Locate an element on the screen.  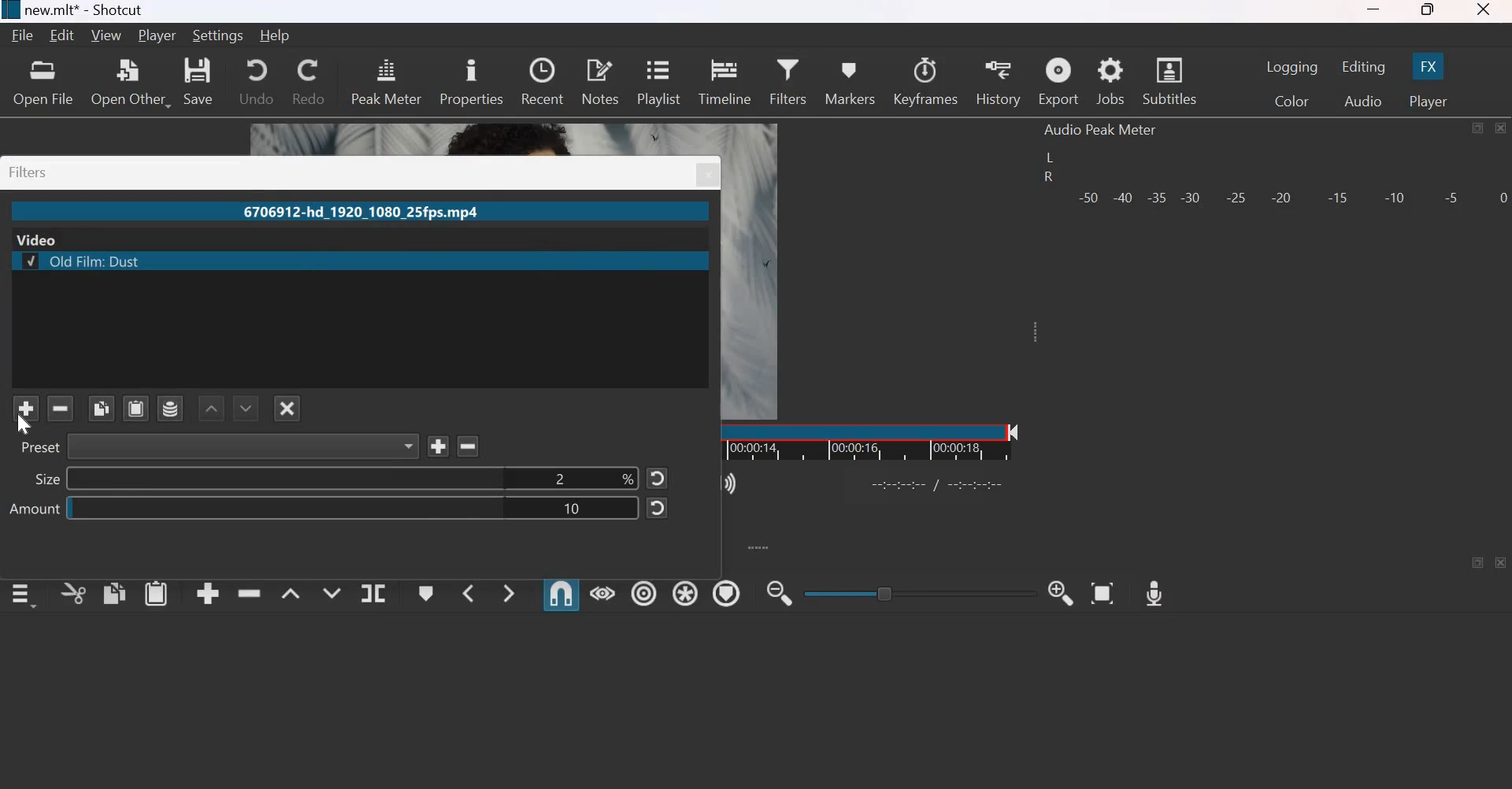
Recent is located at coordinates (543, 81).